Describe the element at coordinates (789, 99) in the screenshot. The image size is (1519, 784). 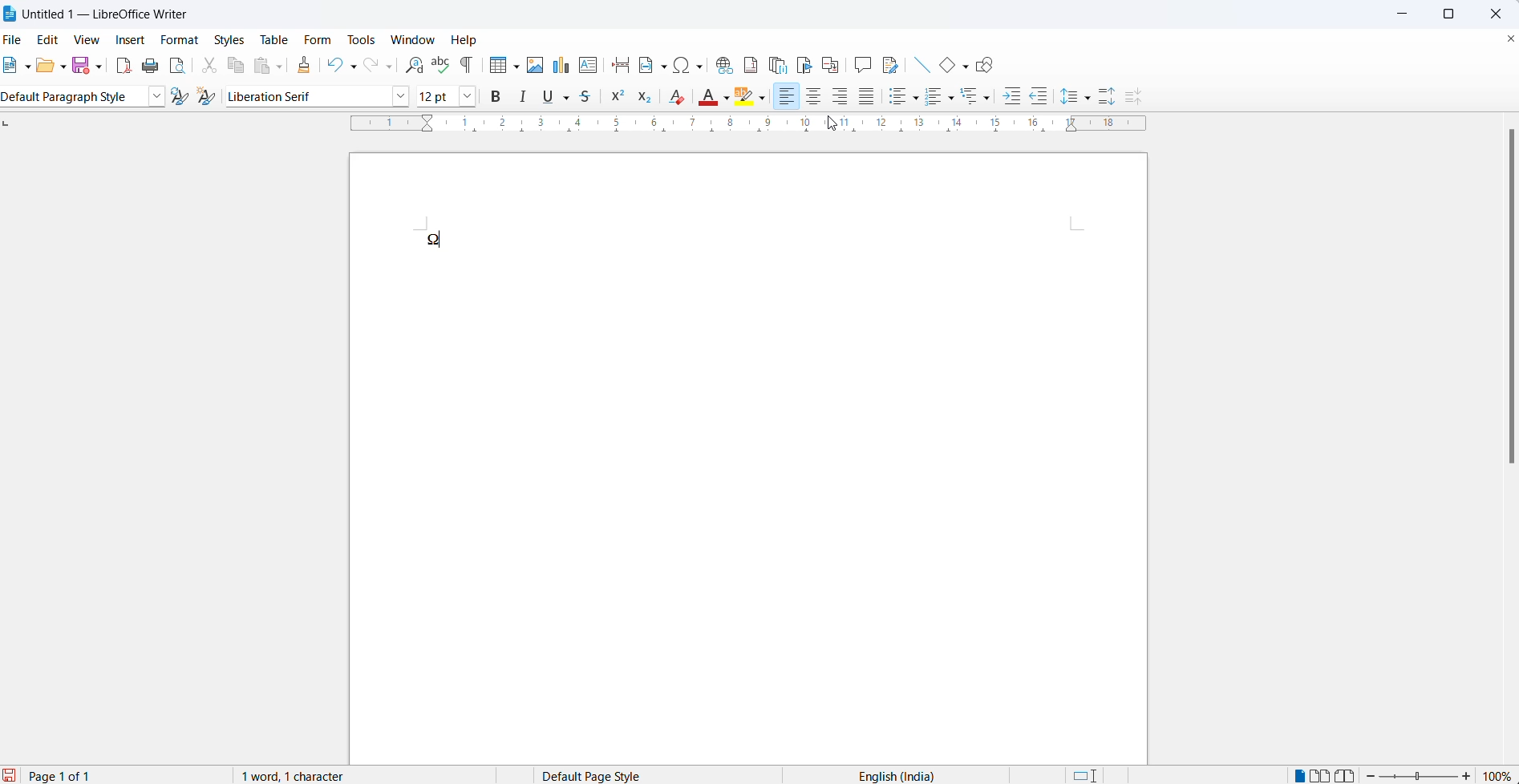
I see `text align left` at that location.